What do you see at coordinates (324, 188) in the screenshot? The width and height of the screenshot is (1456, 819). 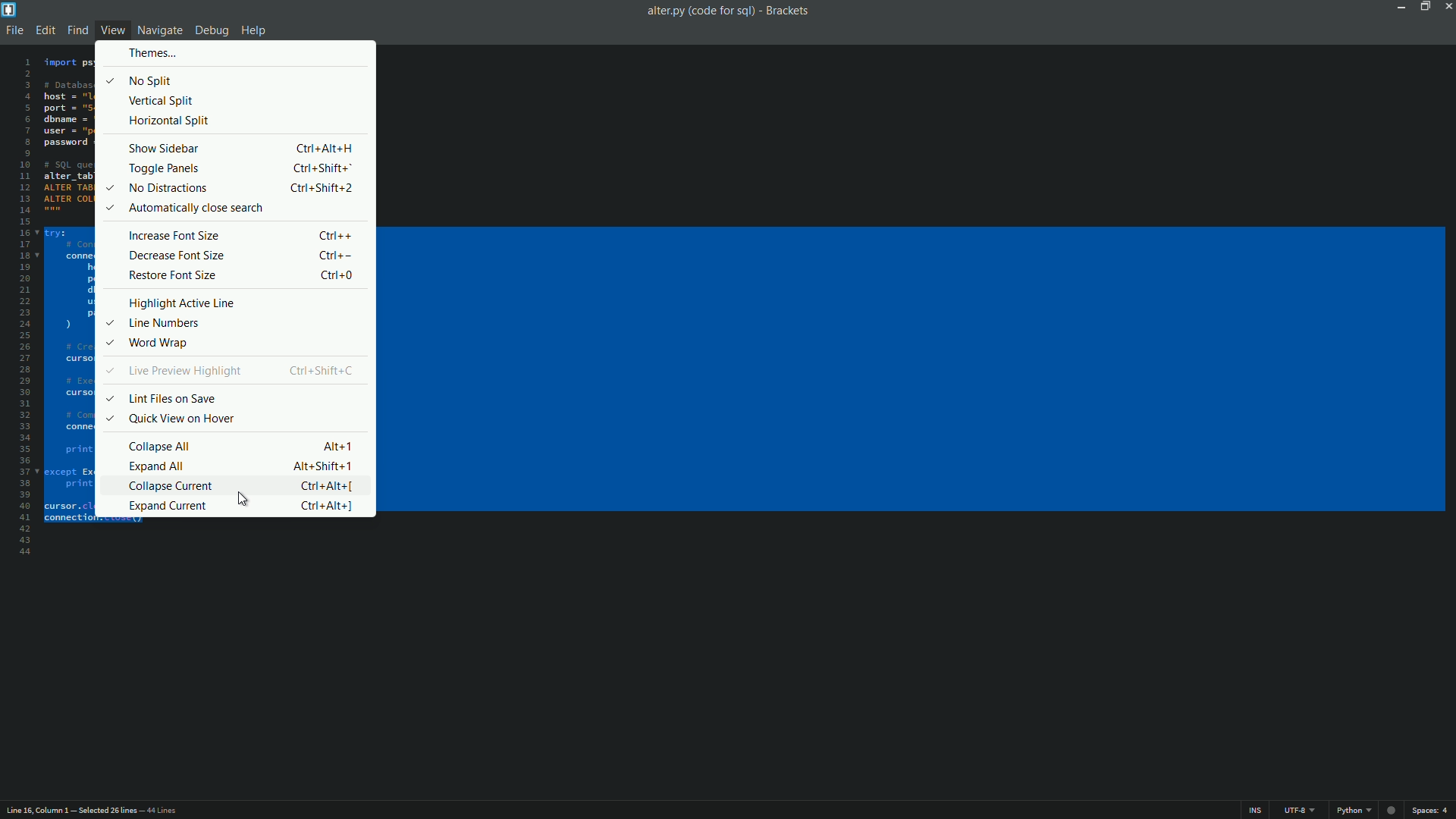 I see `keyboard shortcut` at bounding box center [324, 188].